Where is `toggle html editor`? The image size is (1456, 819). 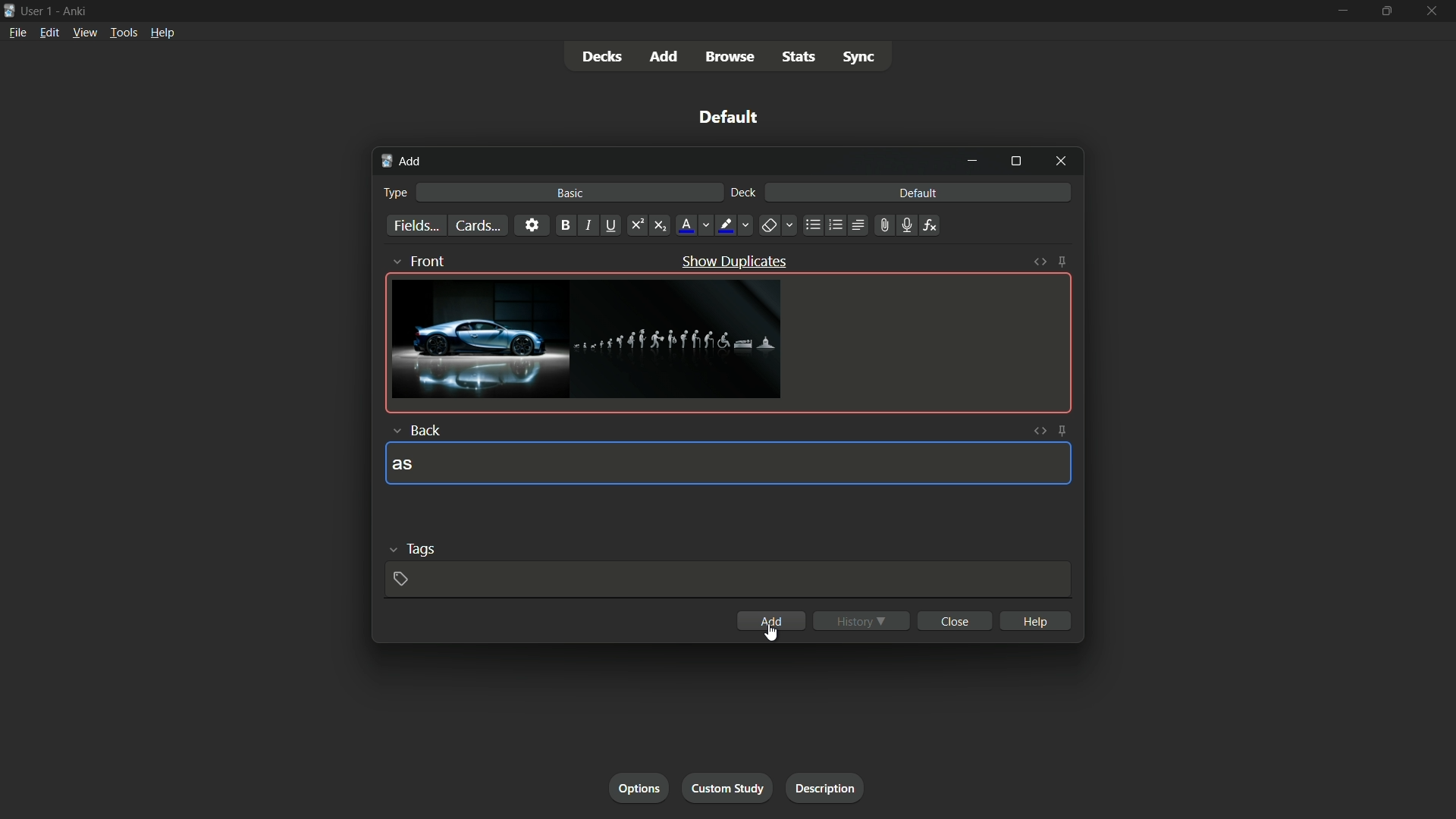 toggle html editor is located at coordinates (1039, 431).